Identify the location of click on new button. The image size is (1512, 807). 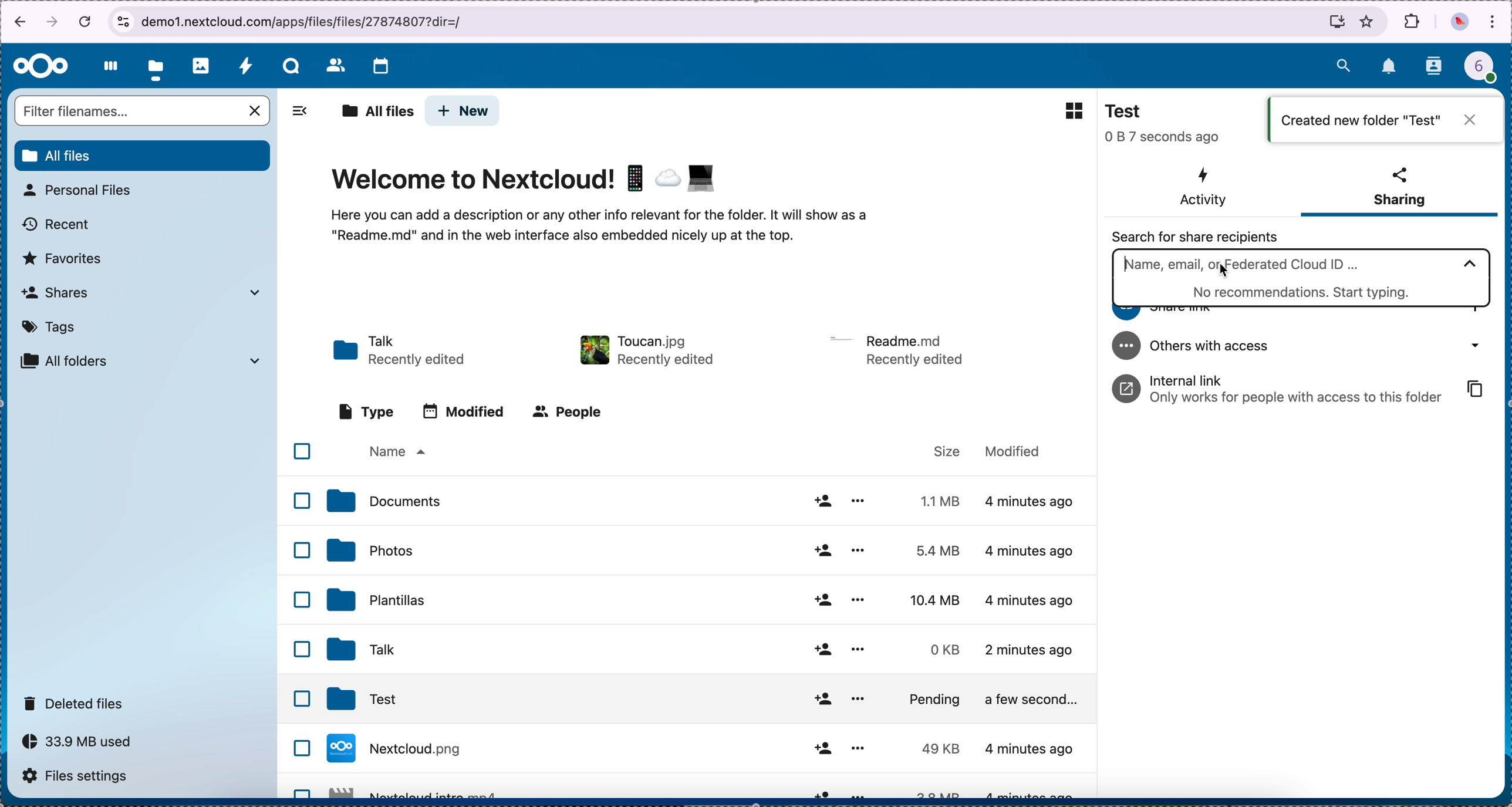
(463, 112).